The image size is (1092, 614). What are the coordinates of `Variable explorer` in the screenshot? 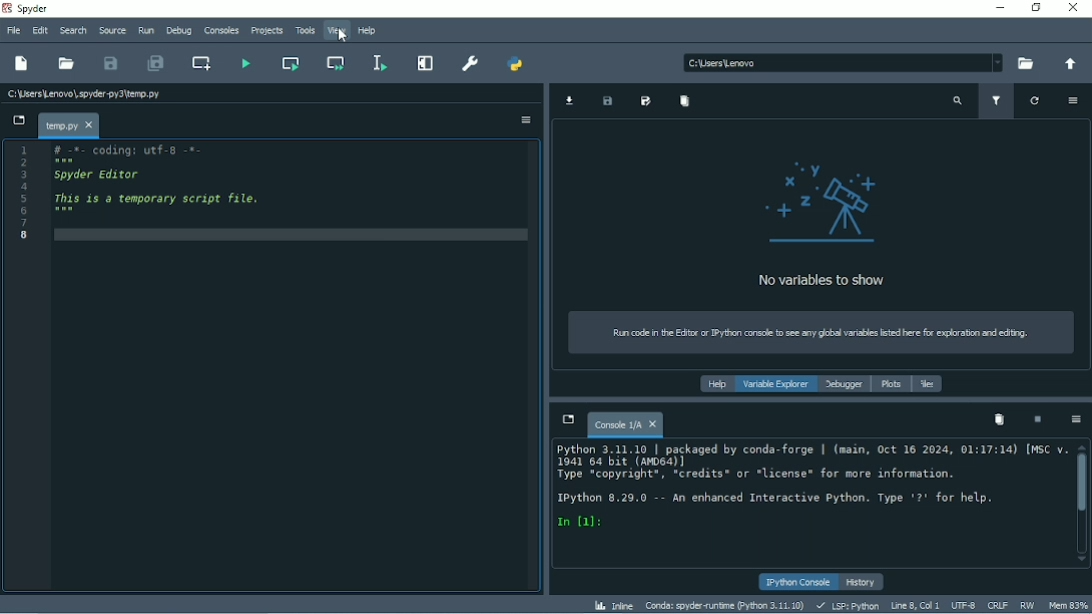 It's located at (777, 385).